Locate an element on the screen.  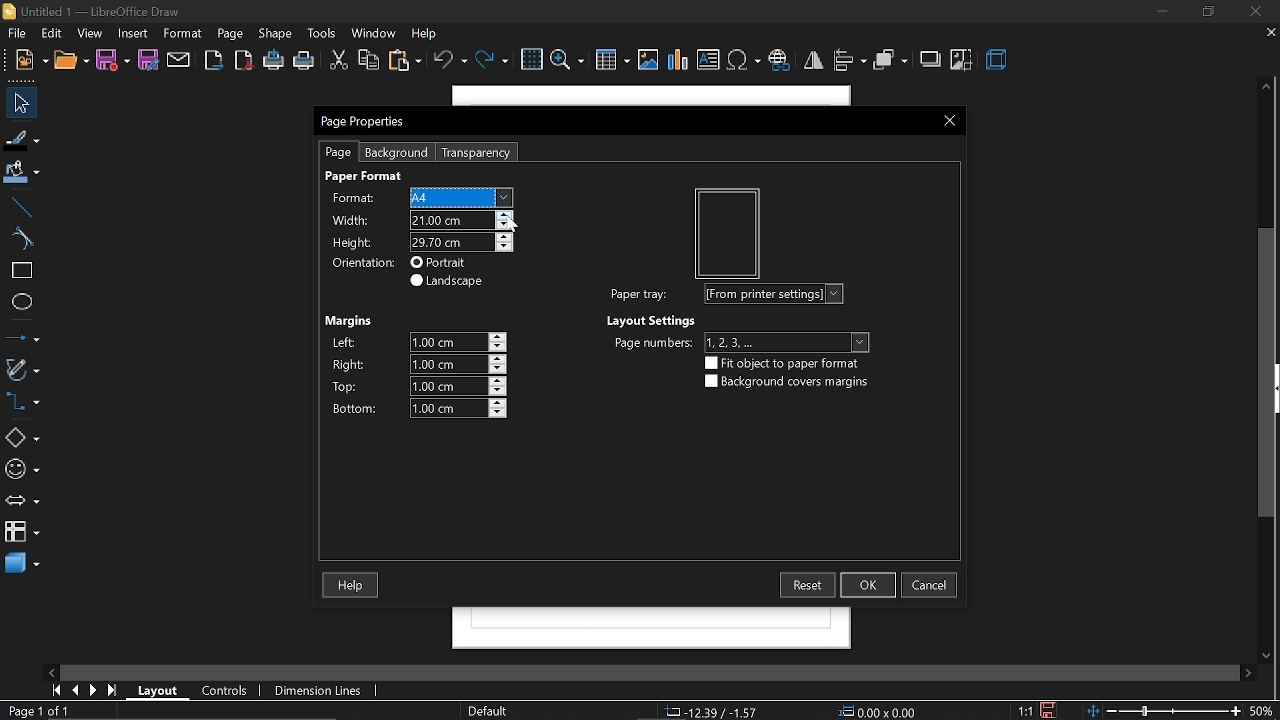
height is located at coordinates (352, 241).